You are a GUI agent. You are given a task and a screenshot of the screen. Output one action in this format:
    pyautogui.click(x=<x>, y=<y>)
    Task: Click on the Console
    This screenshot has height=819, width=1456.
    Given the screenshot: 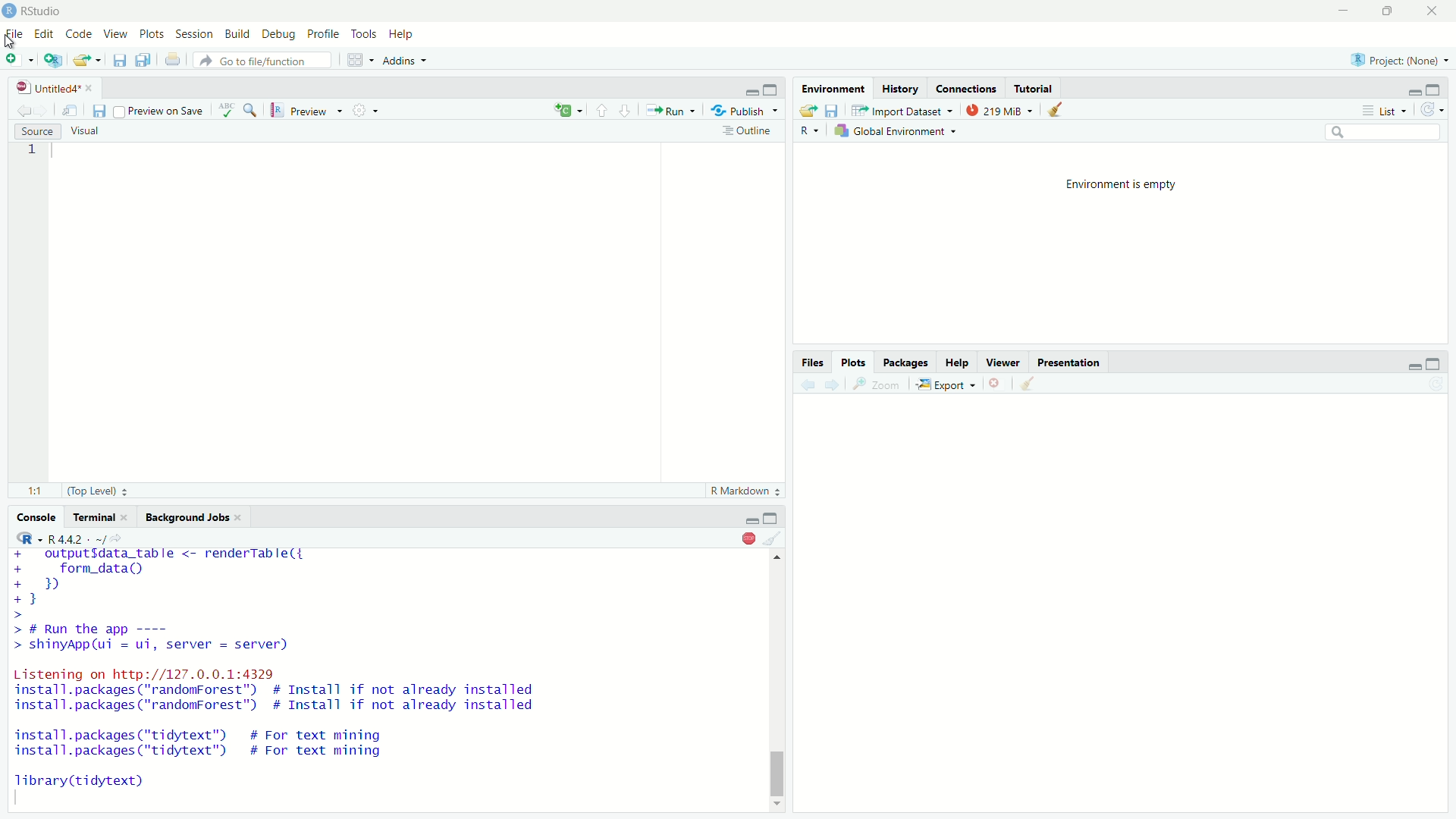 What is the action you would take?
    pyautogui.click(x=39, y=518)
    